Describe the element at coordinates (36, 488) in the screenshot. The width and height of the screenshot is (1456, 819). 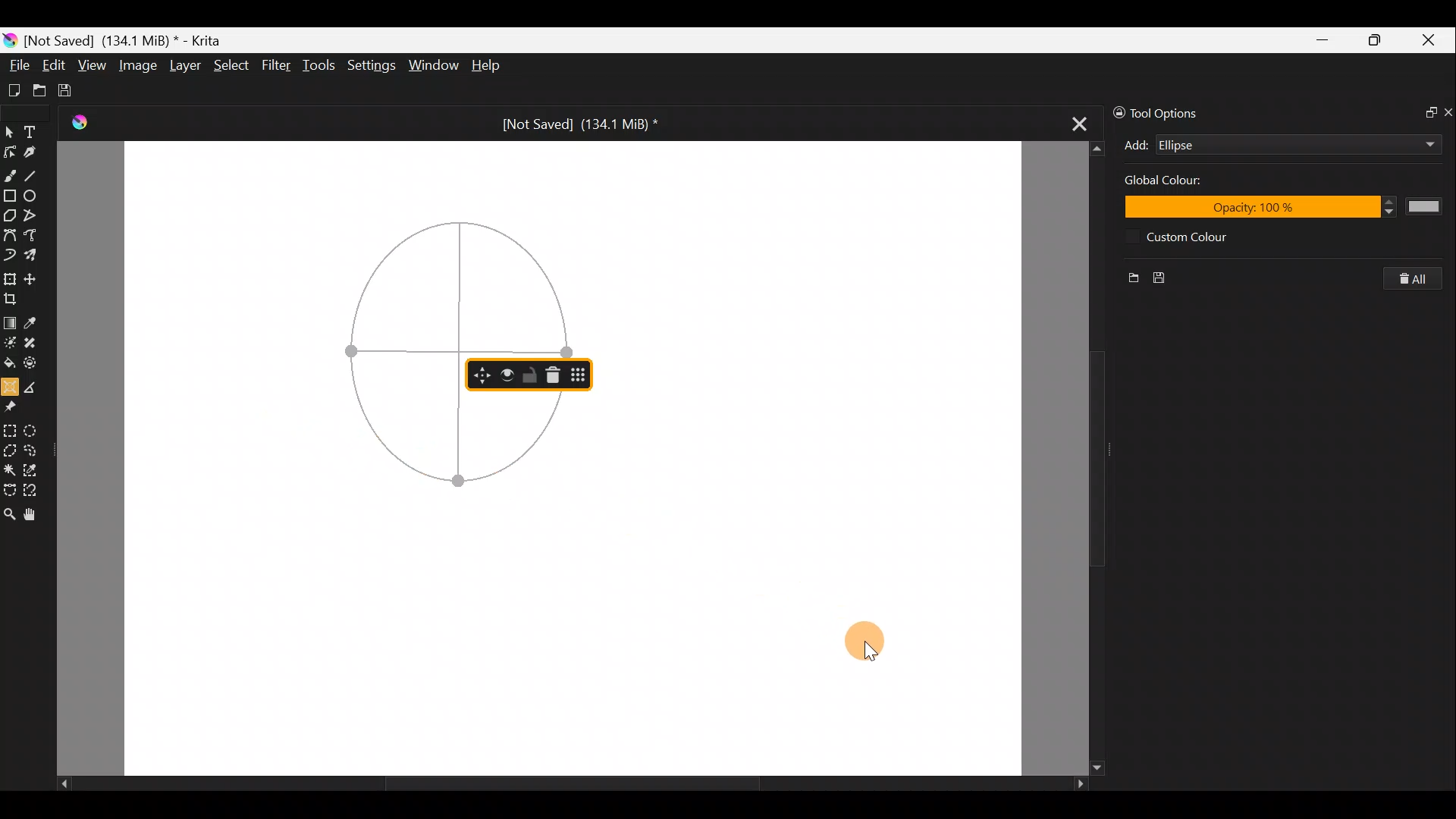
I see `Magnetic curve selection tool` at that location.